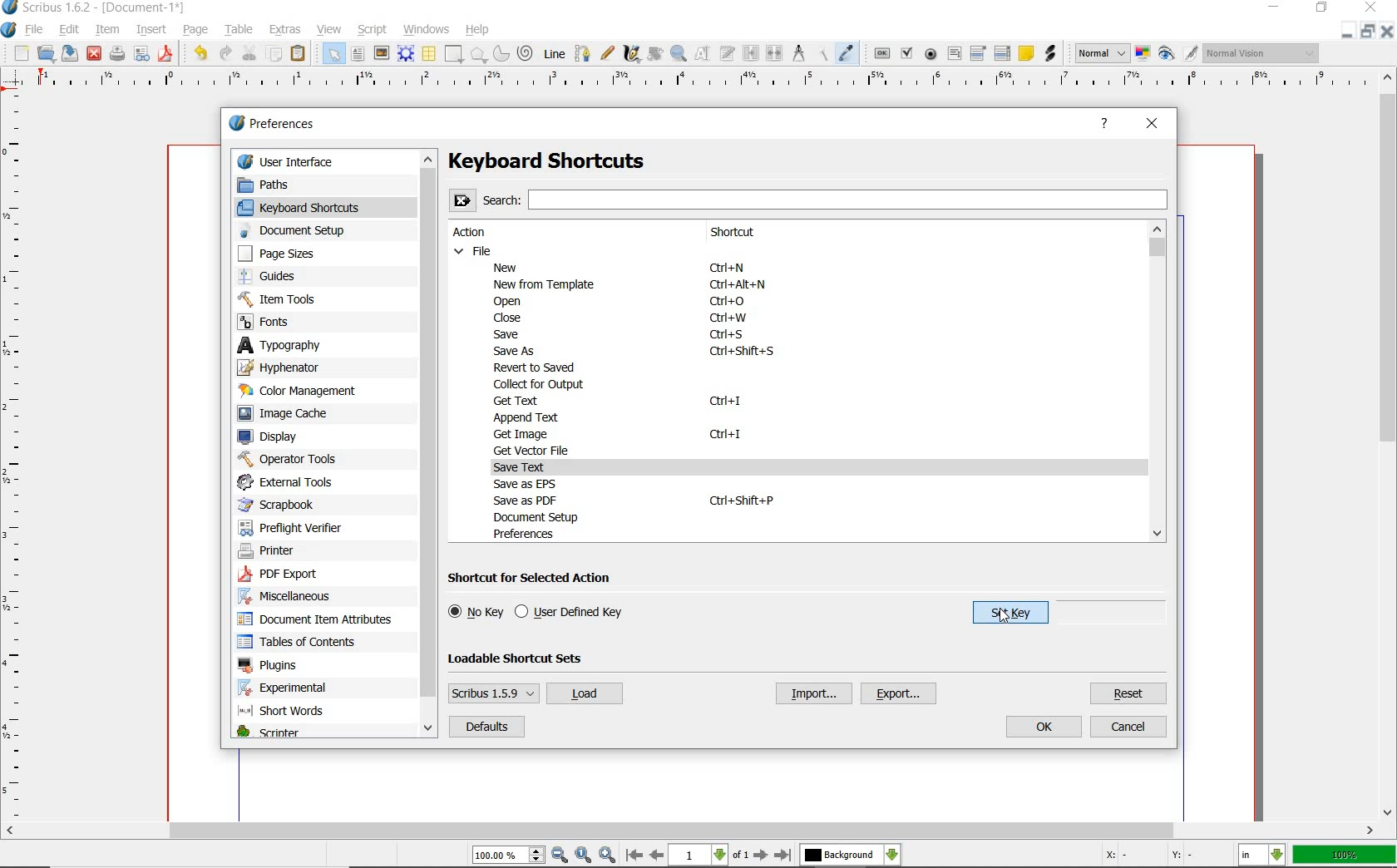  I want to click on minimize, so click(1369, 31).